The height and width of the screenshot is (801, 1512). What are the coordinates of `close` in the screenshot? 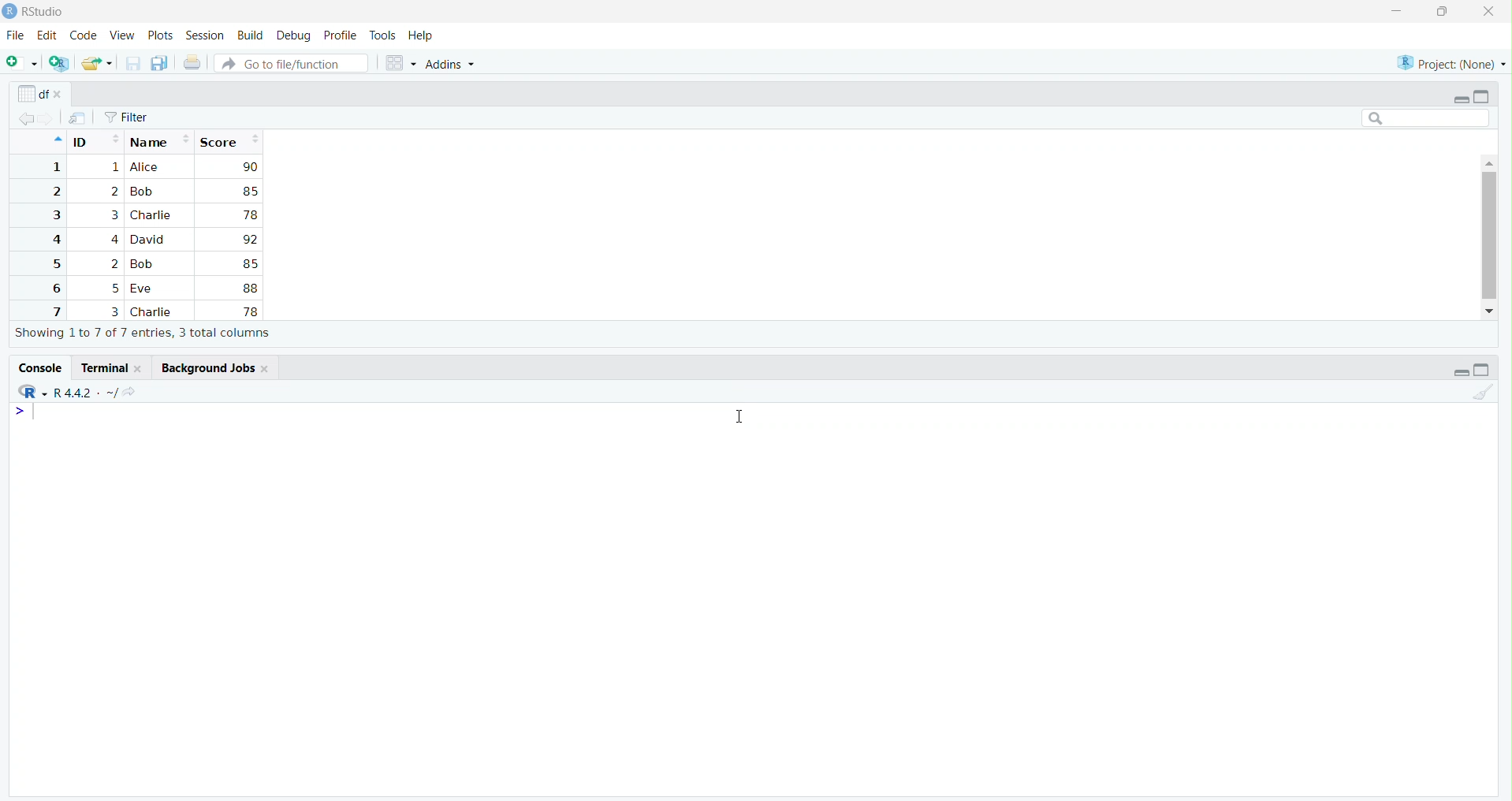 It's located at (1488, 12).